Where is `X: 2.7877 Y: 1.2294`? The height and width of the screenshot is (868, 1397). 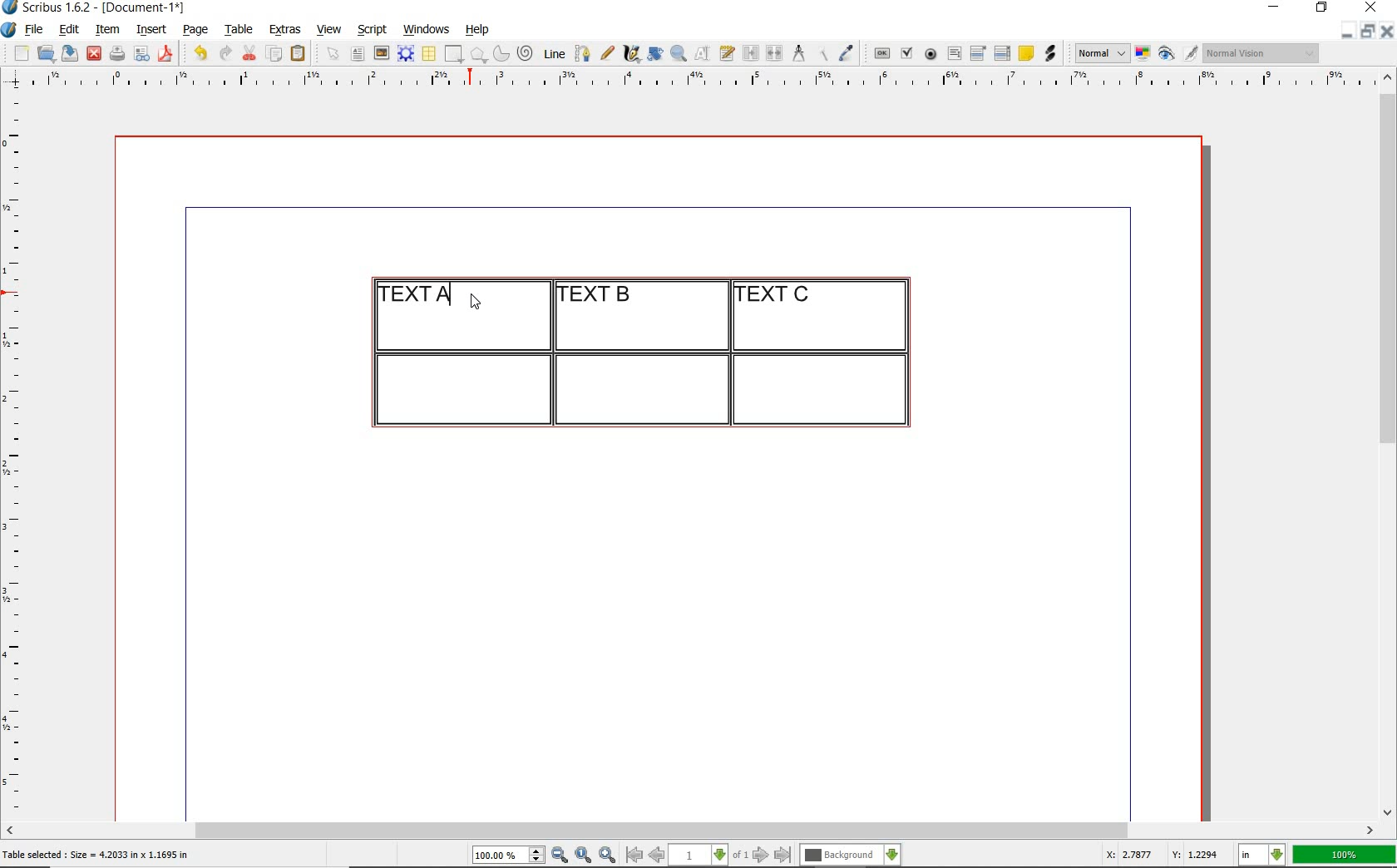
X: 2.7877 Y: 1.2294 is located at coordinates (1165, 855).